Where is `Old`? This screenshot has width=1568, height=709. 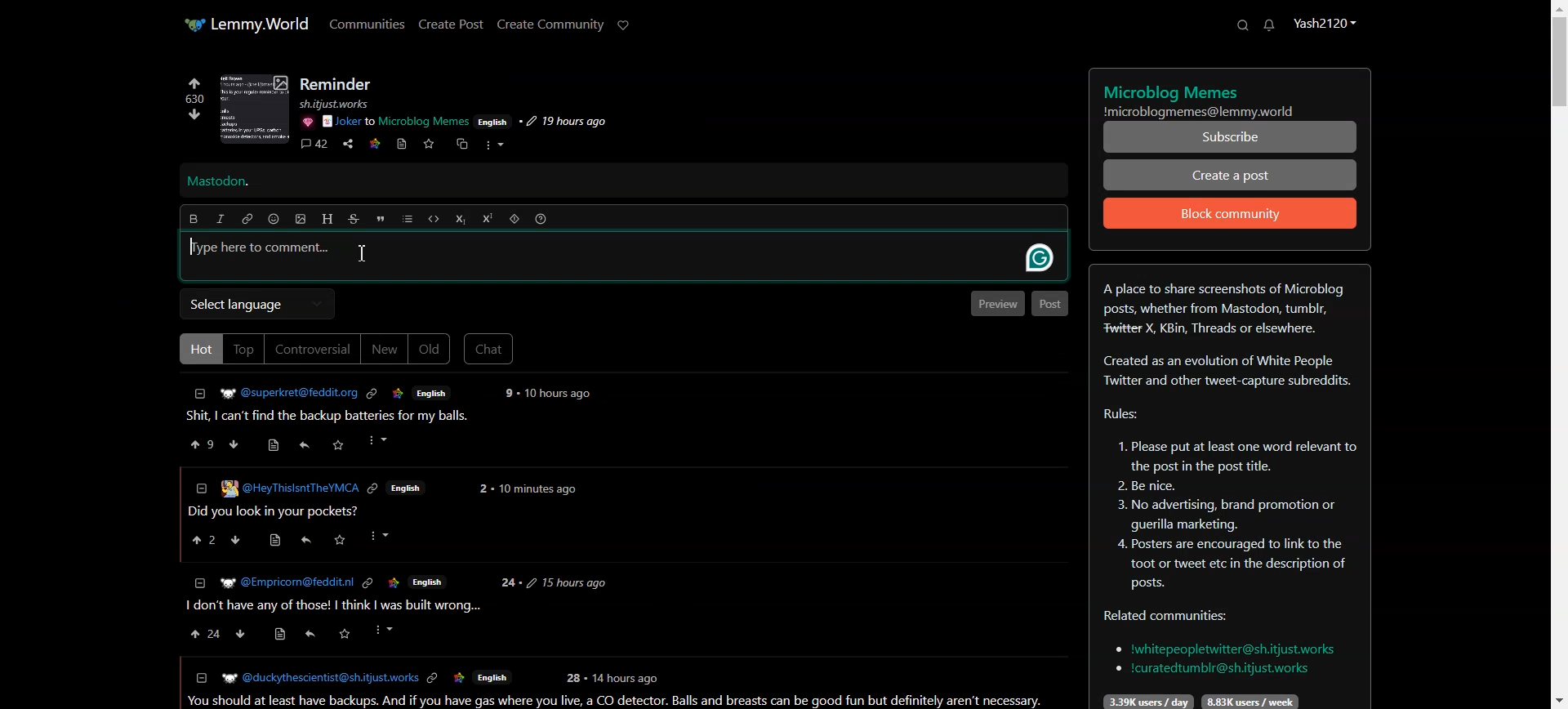
Old is located at coordinates (430, 350).